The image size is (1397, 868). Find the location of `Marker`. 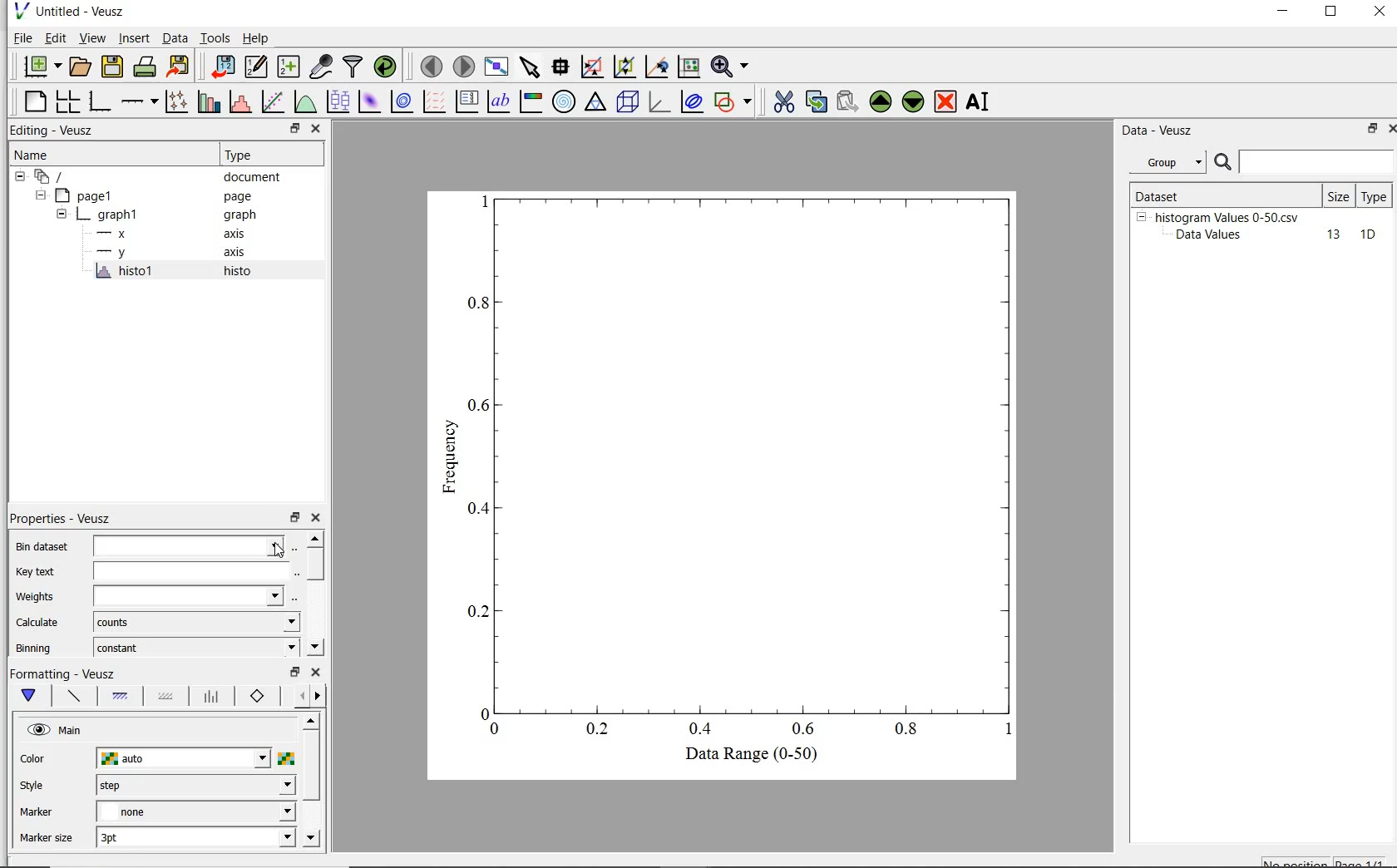

Marker is located at coordinates (37, 814).